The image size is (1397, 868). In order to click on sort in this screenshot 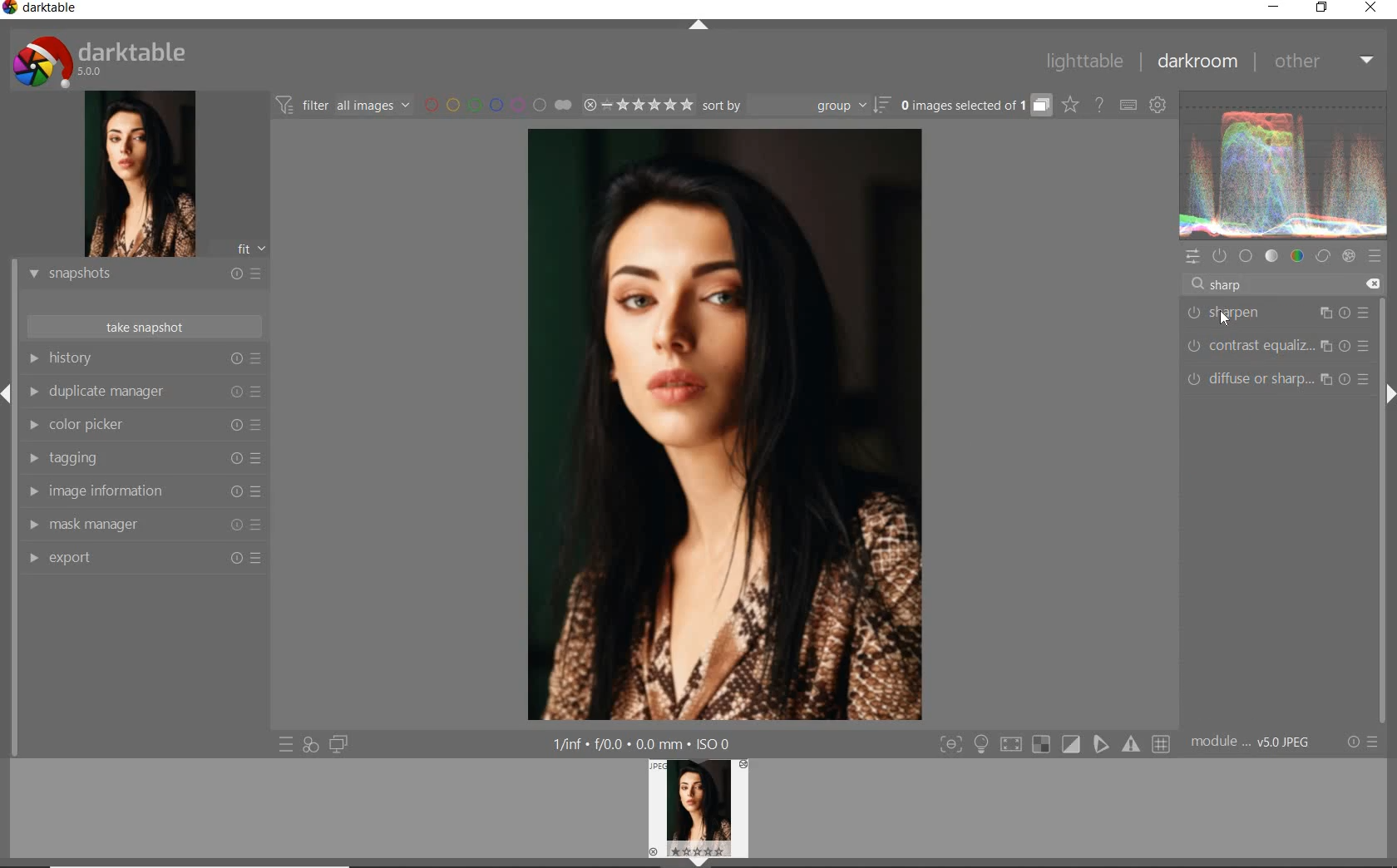, I will do `click(797, 105)`.